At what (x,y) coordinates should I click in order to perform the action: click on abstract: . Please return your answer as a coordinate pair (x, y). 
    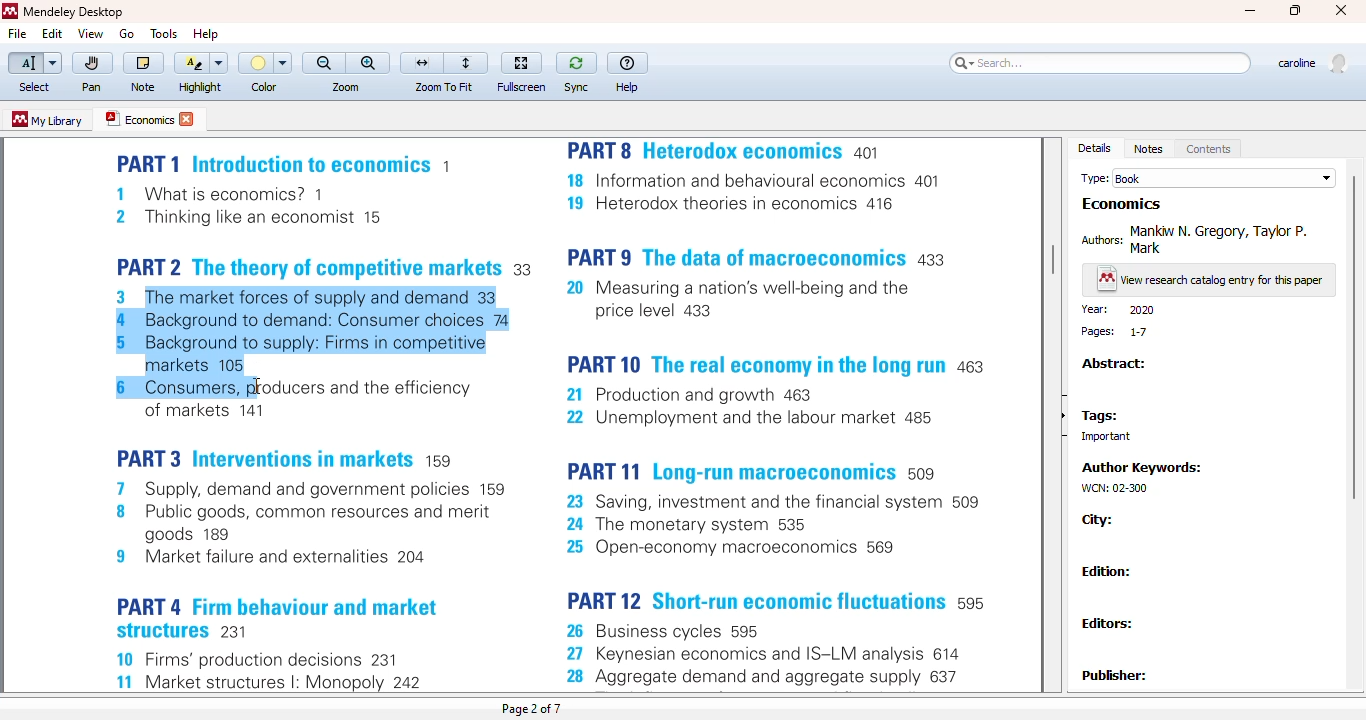
    Looking at the image, I should click on (1113, 364).